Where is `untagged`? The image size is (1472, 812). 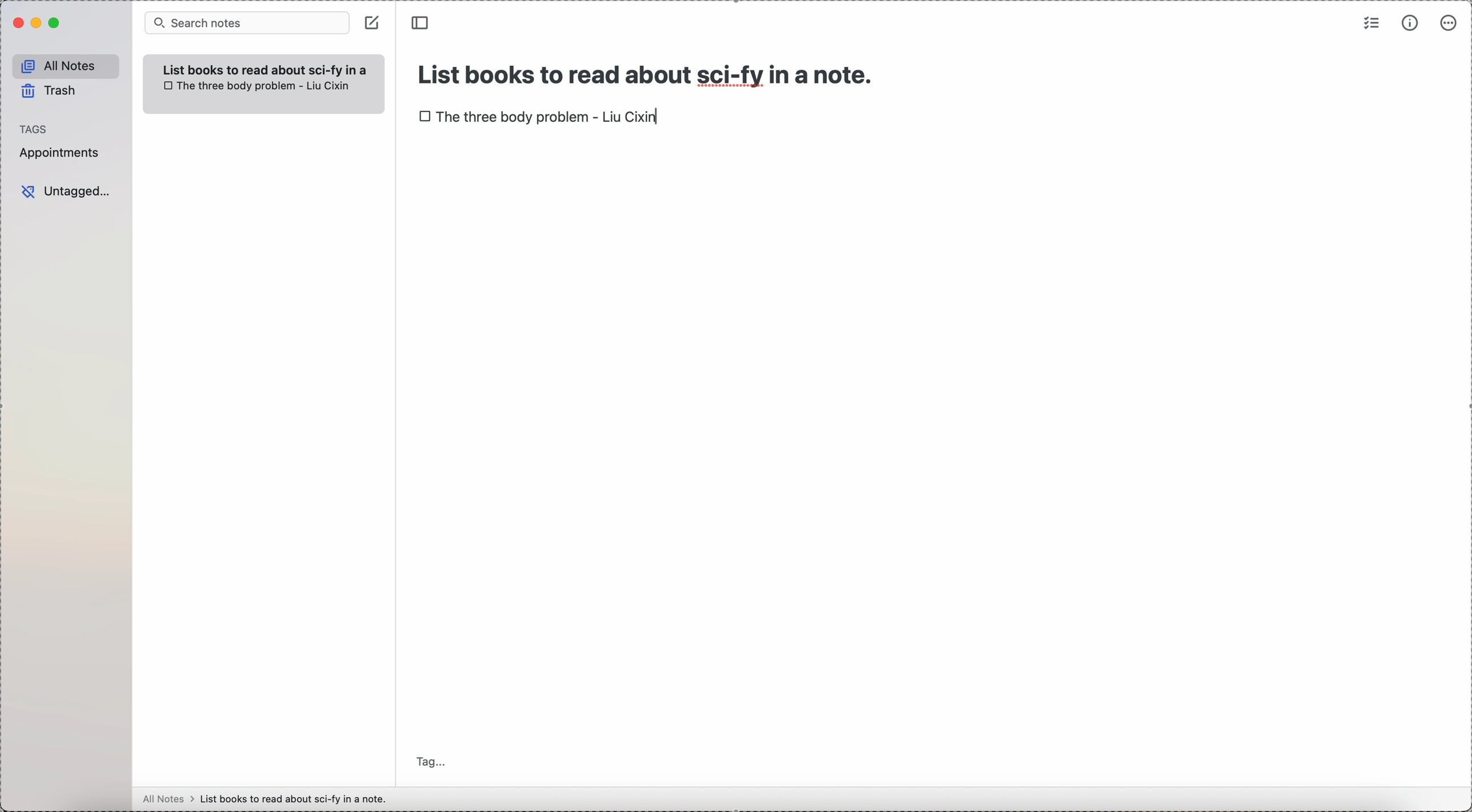 untagged is located at coordinates (66, 191).